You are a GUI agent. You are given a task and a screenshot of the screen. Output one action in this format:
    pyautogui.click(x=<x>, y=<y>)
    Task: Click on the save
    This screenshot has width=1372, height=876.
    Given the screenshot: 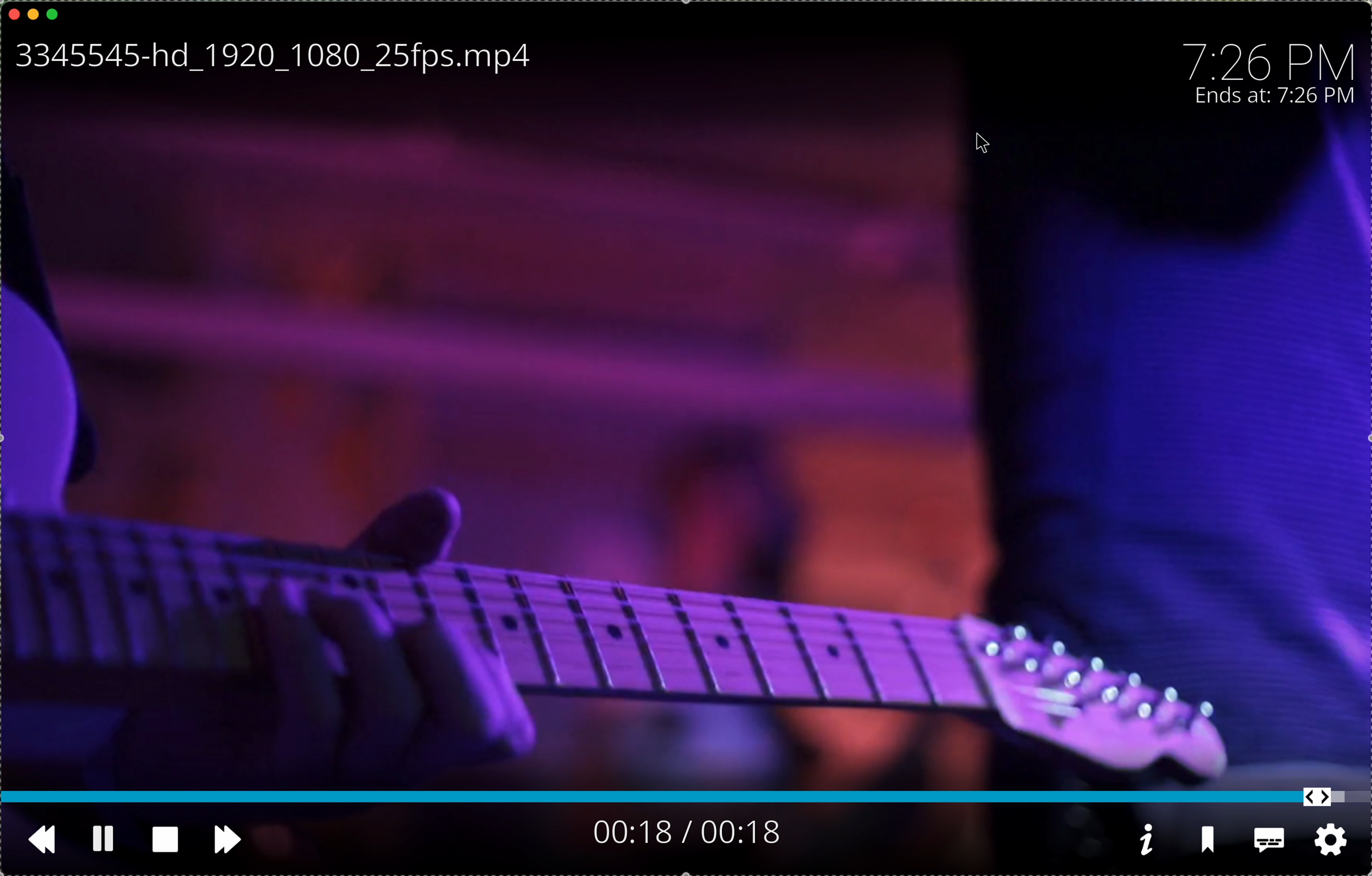 What is the action you would take?
    pyautogui.click(x=1211, y=844)
    